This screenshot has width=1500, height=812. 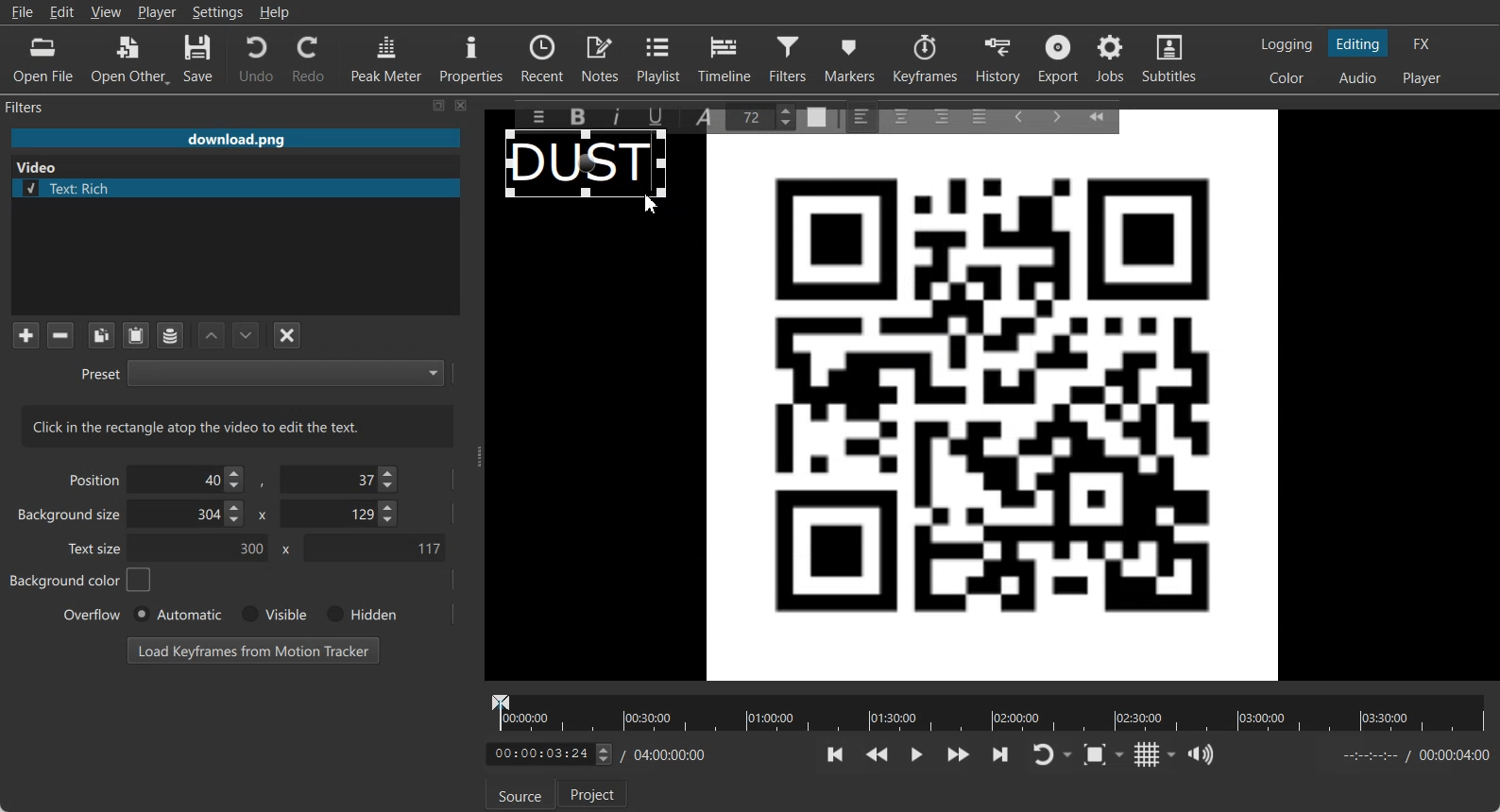 I want to click on View, so click(x=106, y=11).